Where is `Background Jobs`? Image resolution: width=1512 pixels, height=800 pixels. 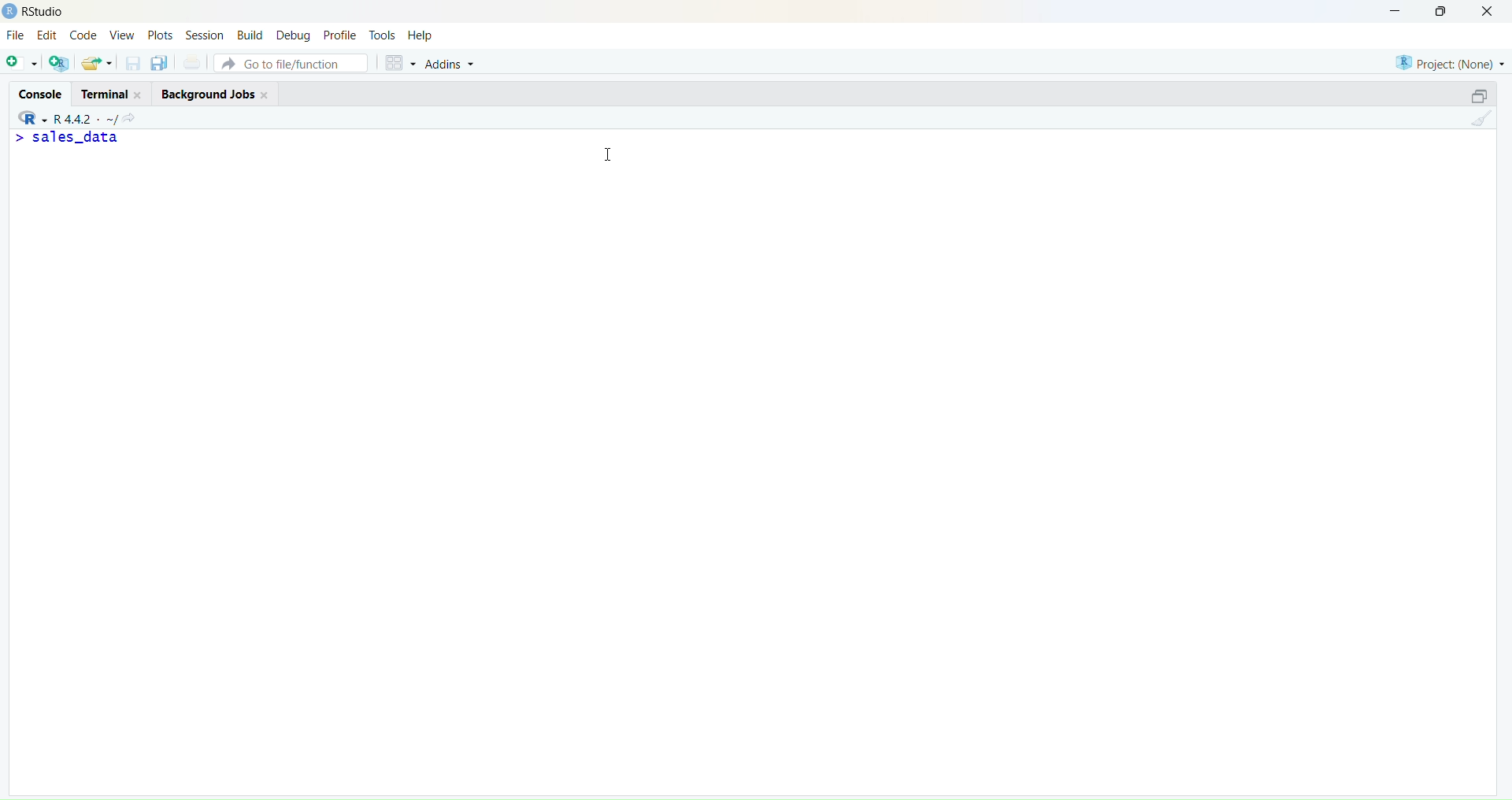
Background Jobs is located at coordinates (216, 93).